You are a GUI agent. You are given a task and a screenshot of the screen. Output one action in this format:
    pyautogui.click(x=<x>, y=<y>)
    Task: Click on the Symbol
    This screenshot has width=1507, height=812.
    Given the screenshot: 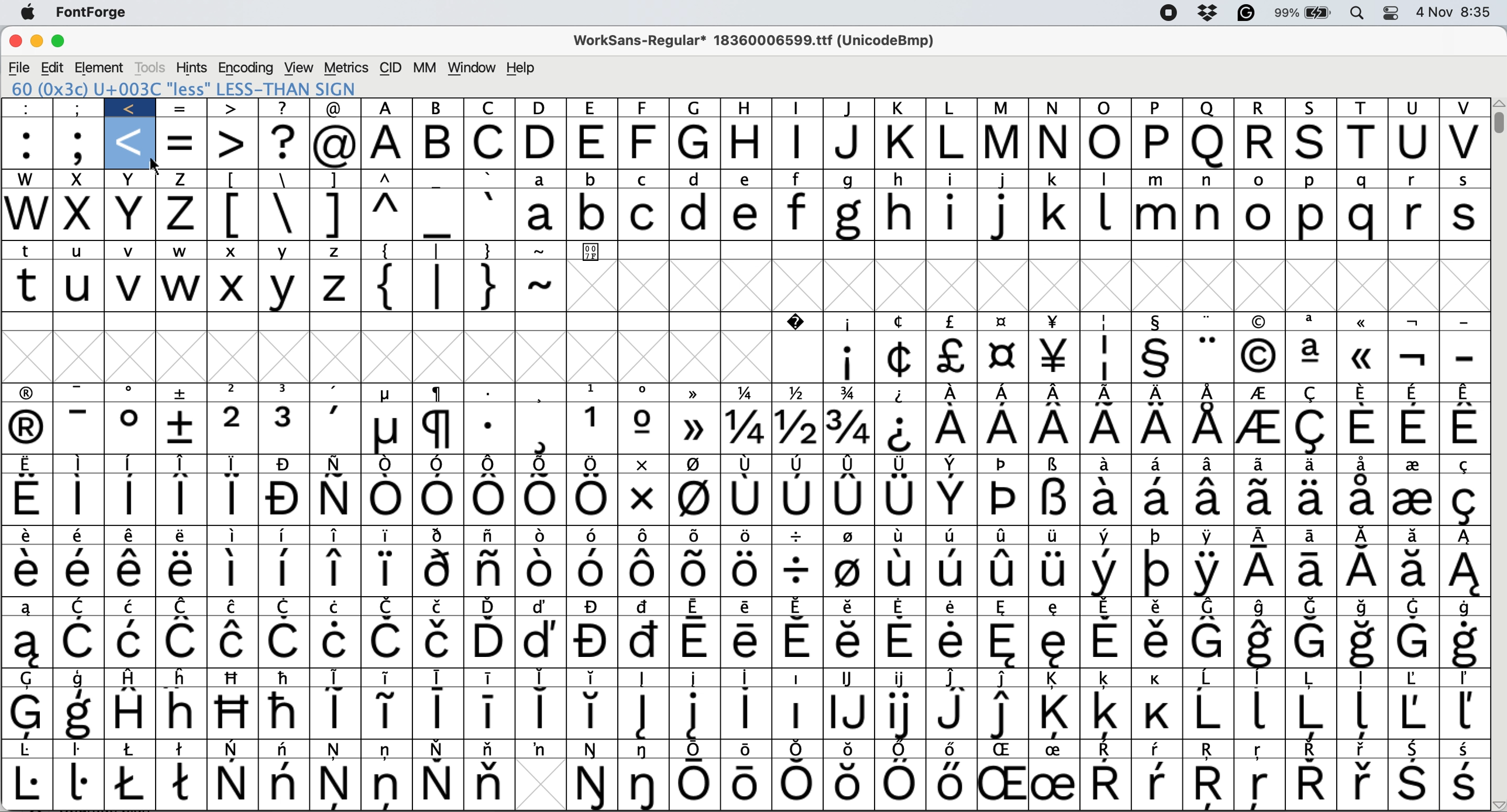 What is the action you would take?
    pyautogui.click(x=644, y=571)
    